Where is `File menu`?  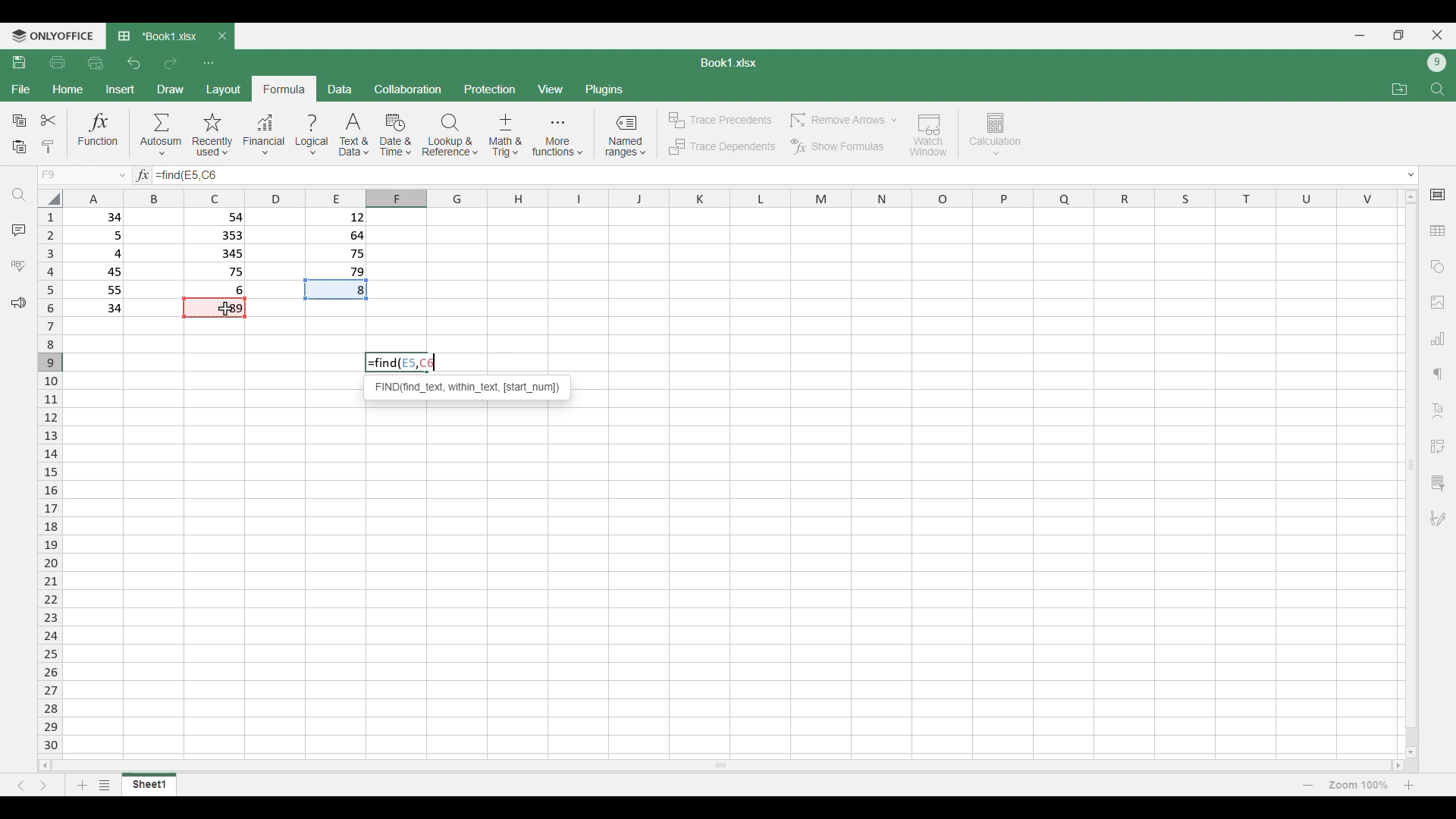
File menu is located at coordinates (21, 89).